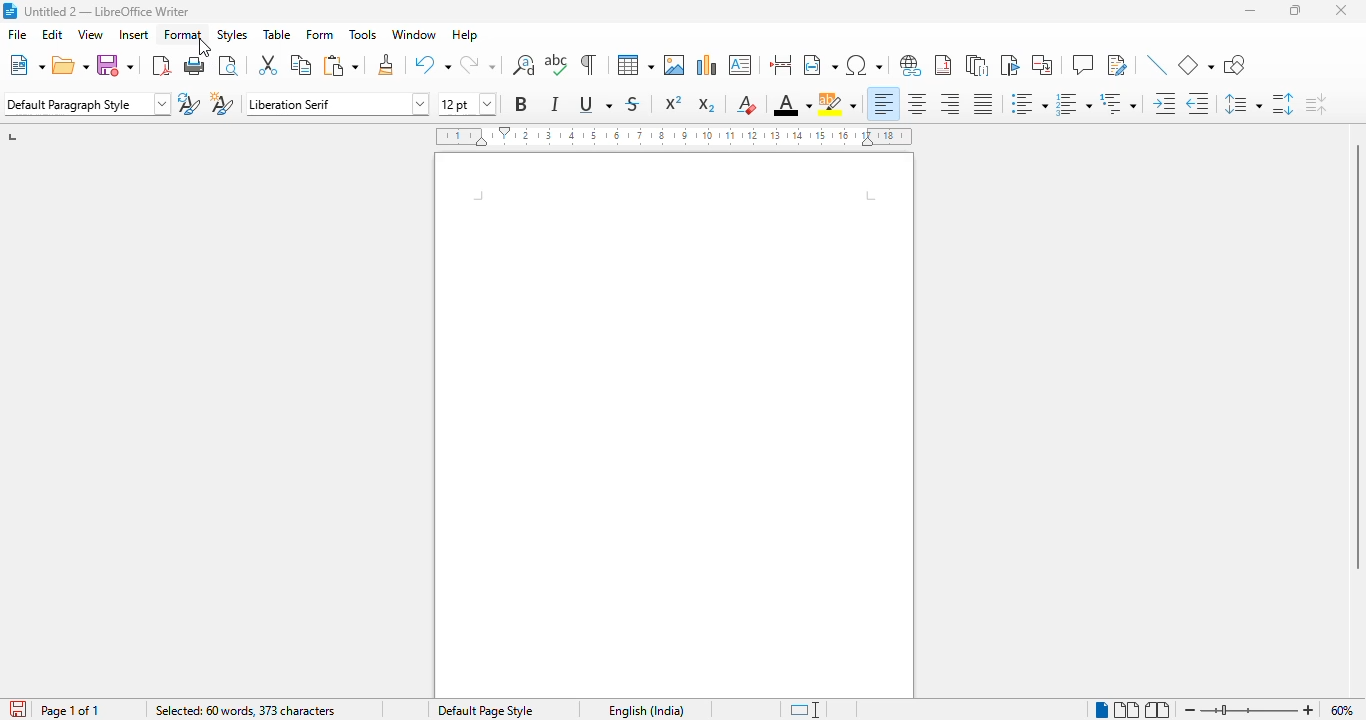 This screenshot has width=1366, height=720. Describe the element at coordinates (107, 11) in the screenshot. I see `untitled 2-LibreOffice Winter` at that location.